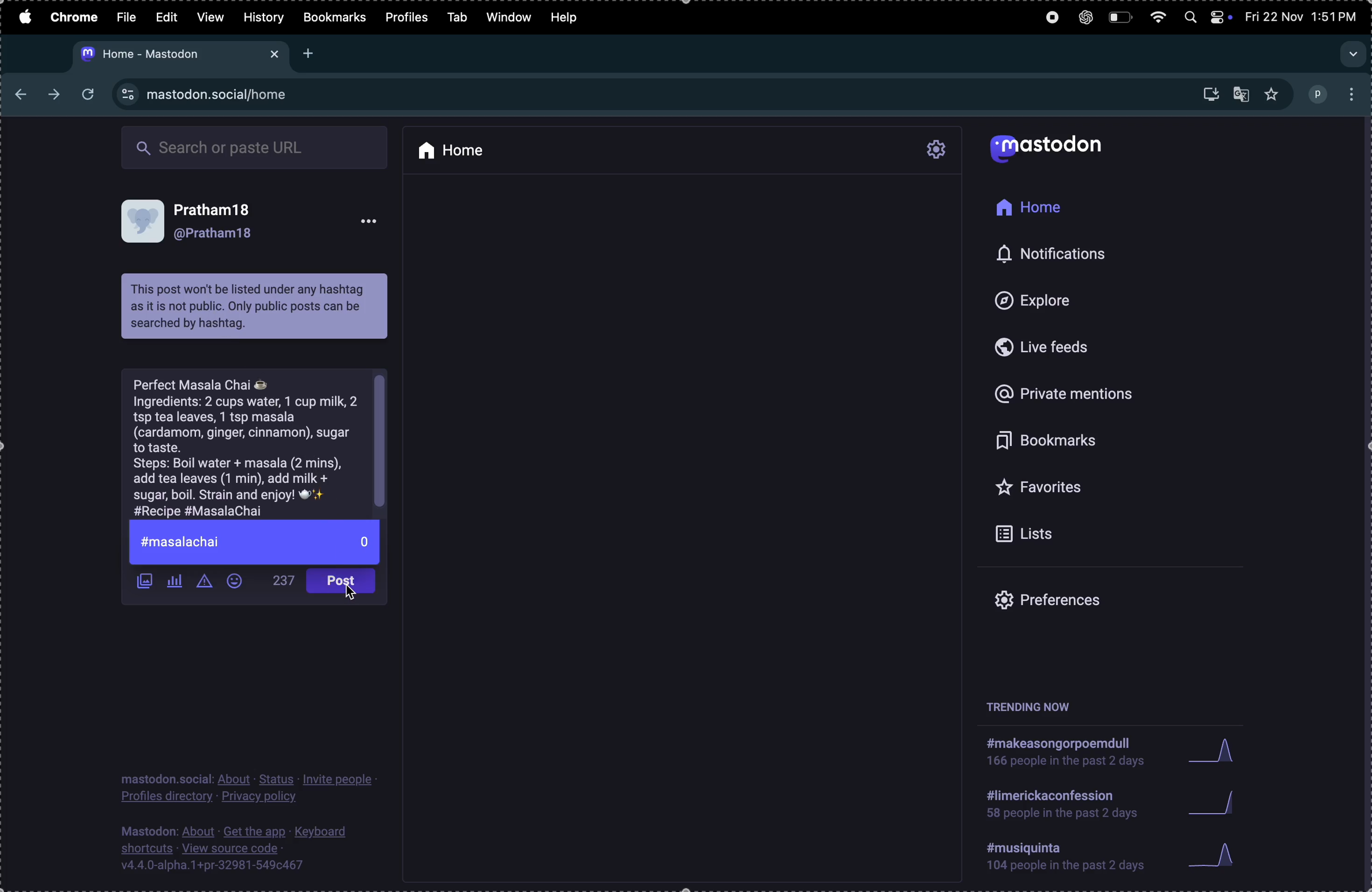 The image size is (1372, 892). What do you see at coordinates (243, 95) in the screenshot?
I see `site url` at bounding box center [243, 95].